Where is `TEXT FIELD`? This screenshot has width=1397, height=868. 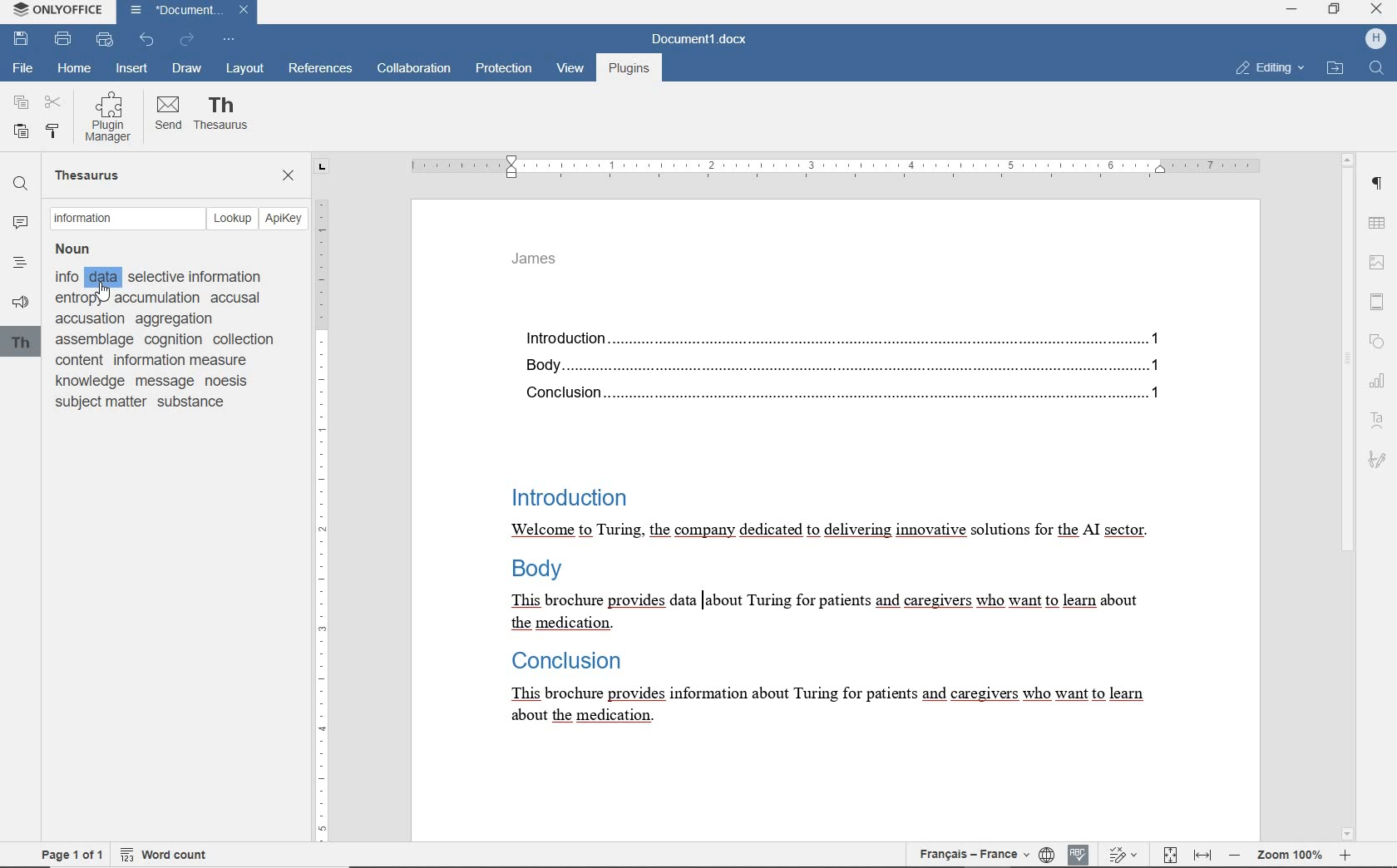
TEXT FIELD is located at coordinates (126, 219).